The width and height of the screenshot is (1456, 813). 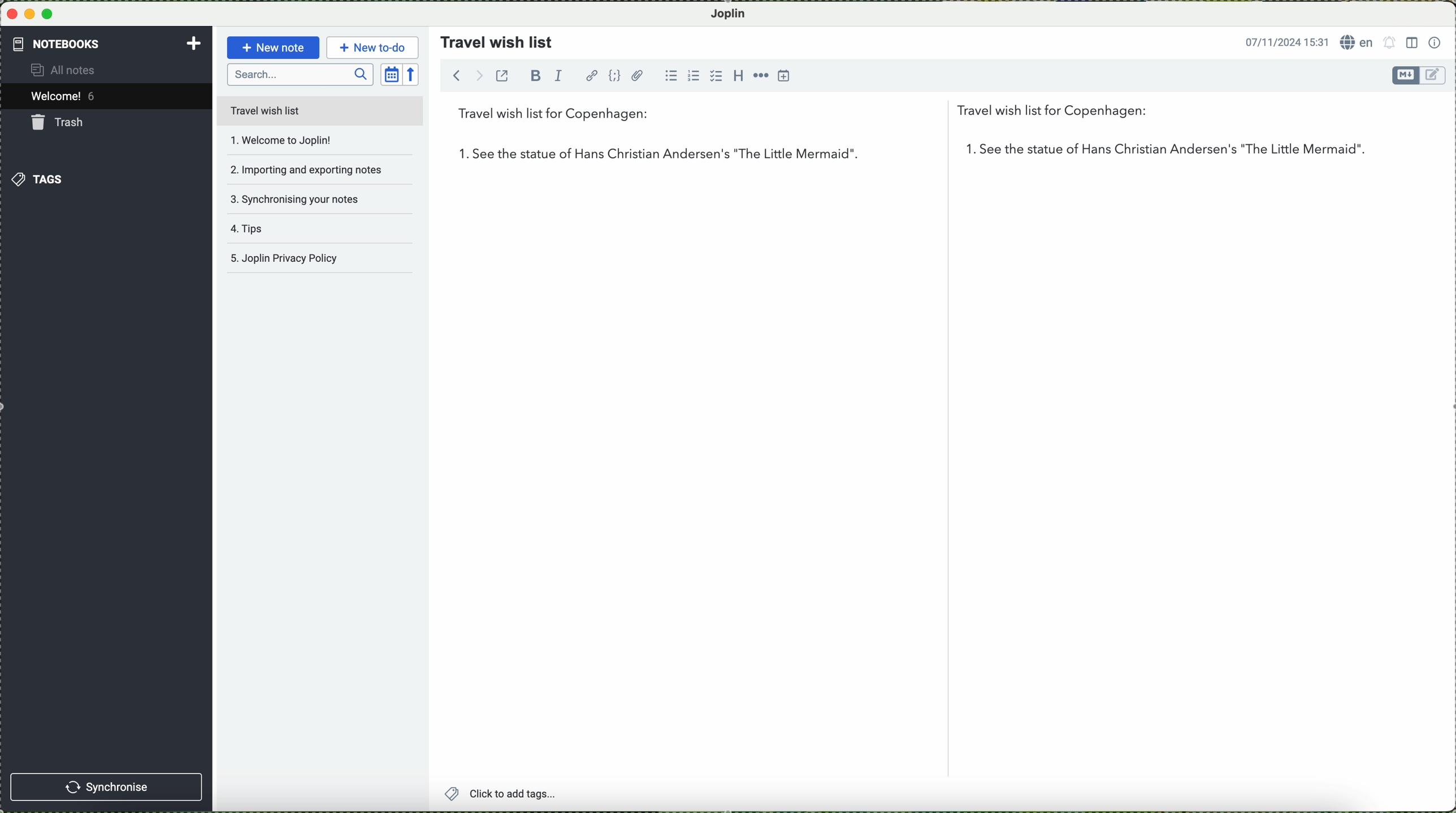 What do you see at coordinates (461, 78) in the screenshot?
I see `navigate` at bounding box center [461, 78].